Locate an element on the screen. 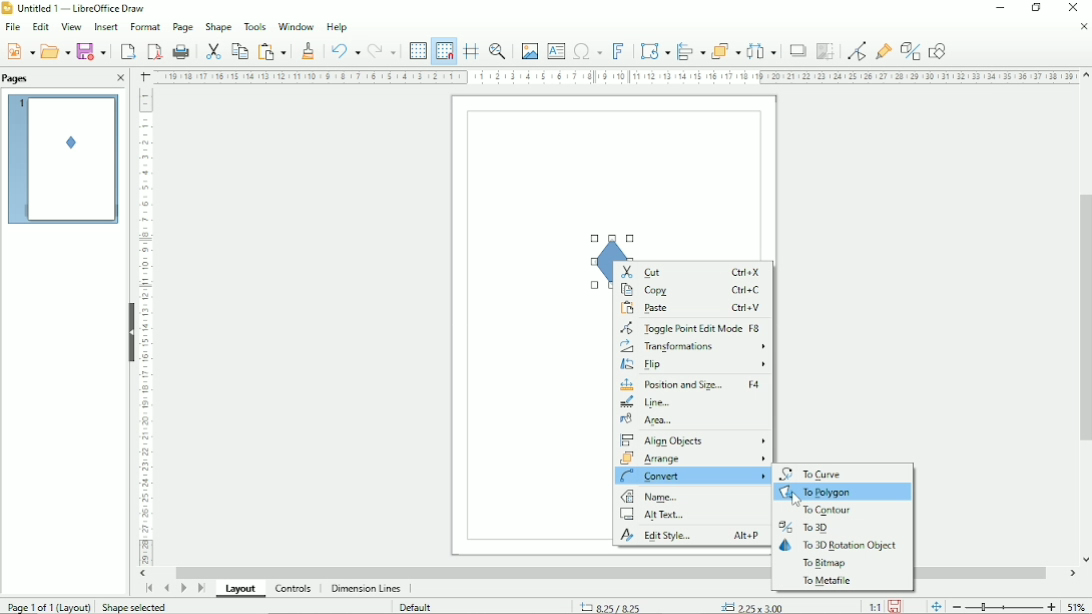 The width and height of the screenshot is (1092, 614). Page 1 of 1 (Layout) is located at coordinates (47, 605).